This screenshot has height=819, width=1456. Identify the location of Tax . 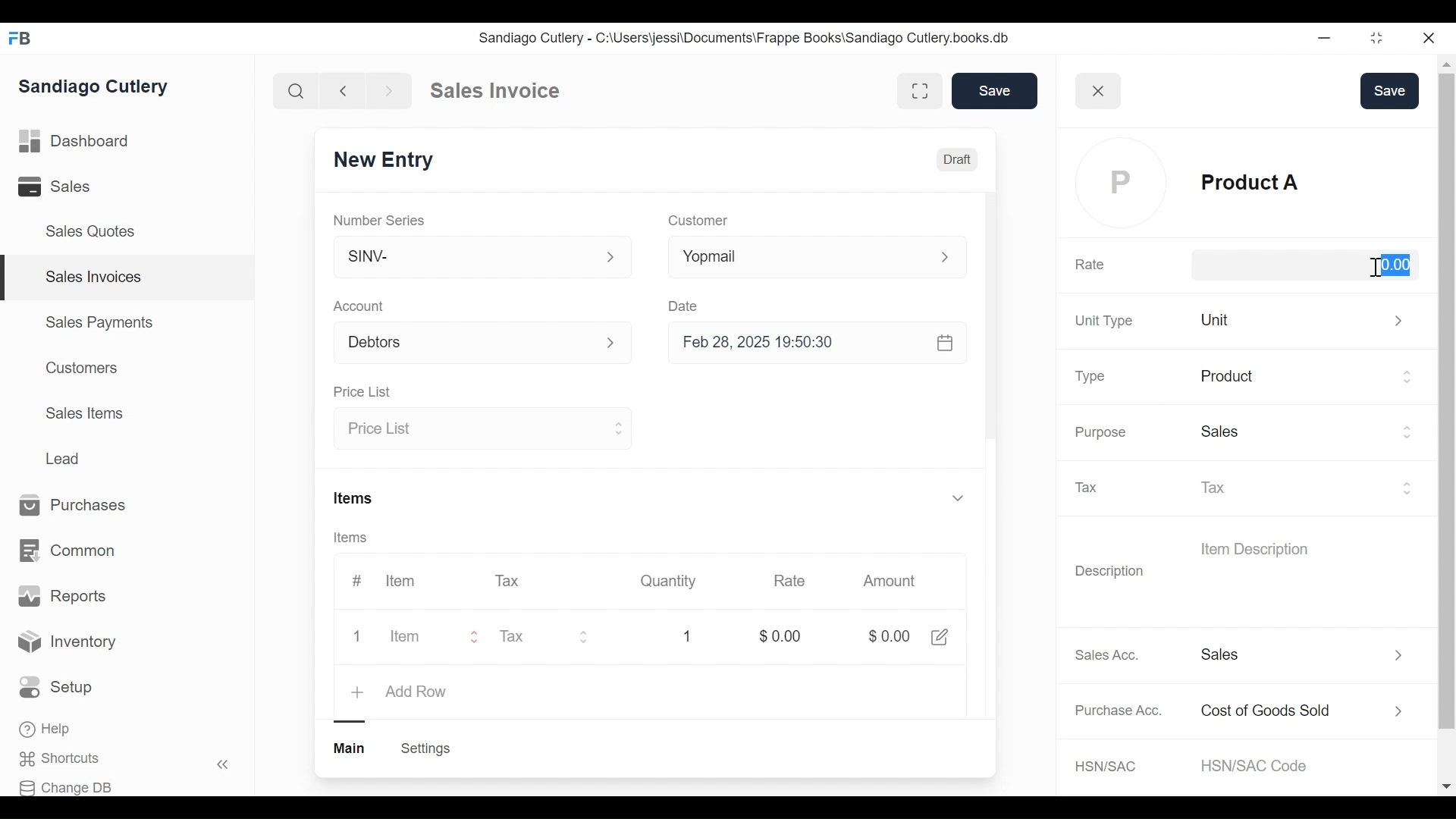
(553, 635).